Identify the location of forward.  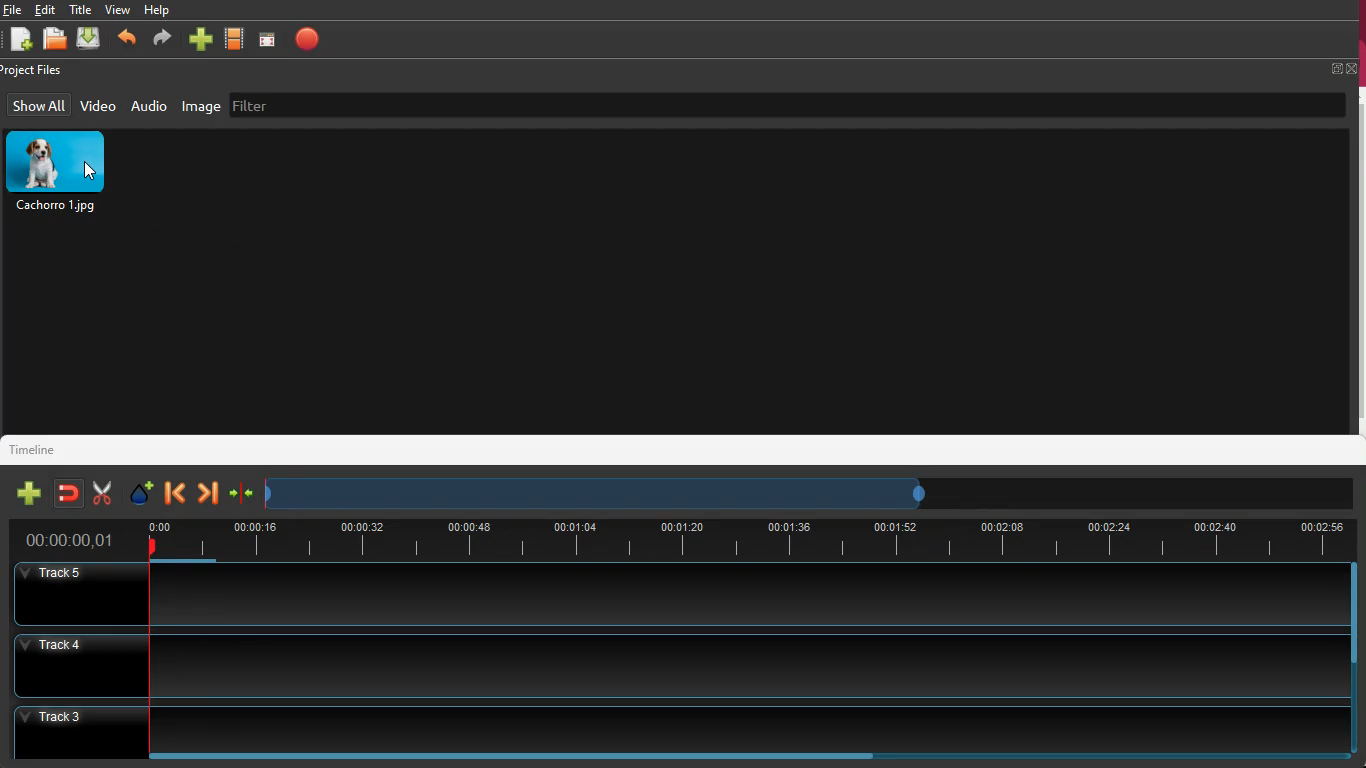
(207, 494).